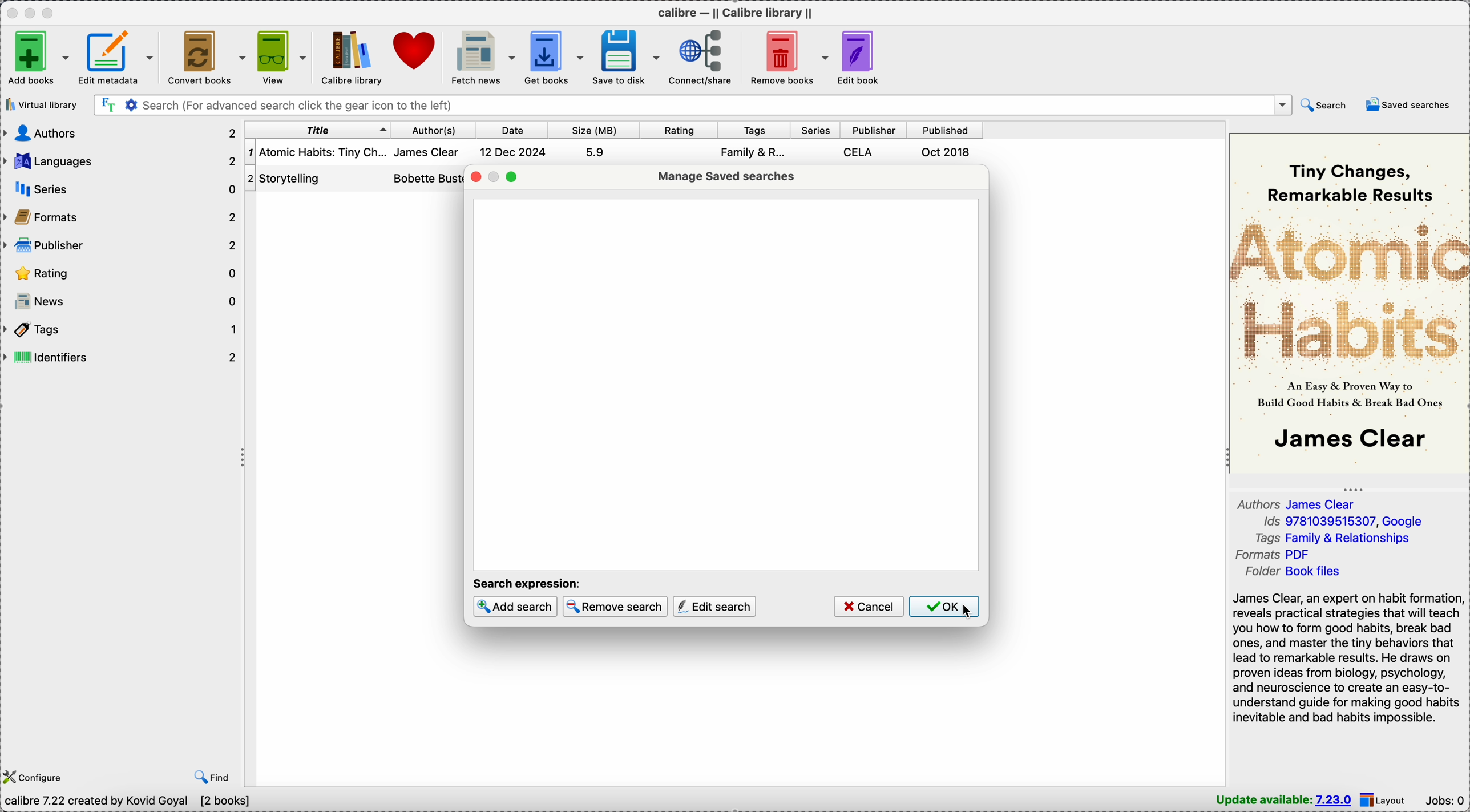  What do you see at coordinates (122, 161) in the screenshot?
I see `language` at bounding box center [122, 161].